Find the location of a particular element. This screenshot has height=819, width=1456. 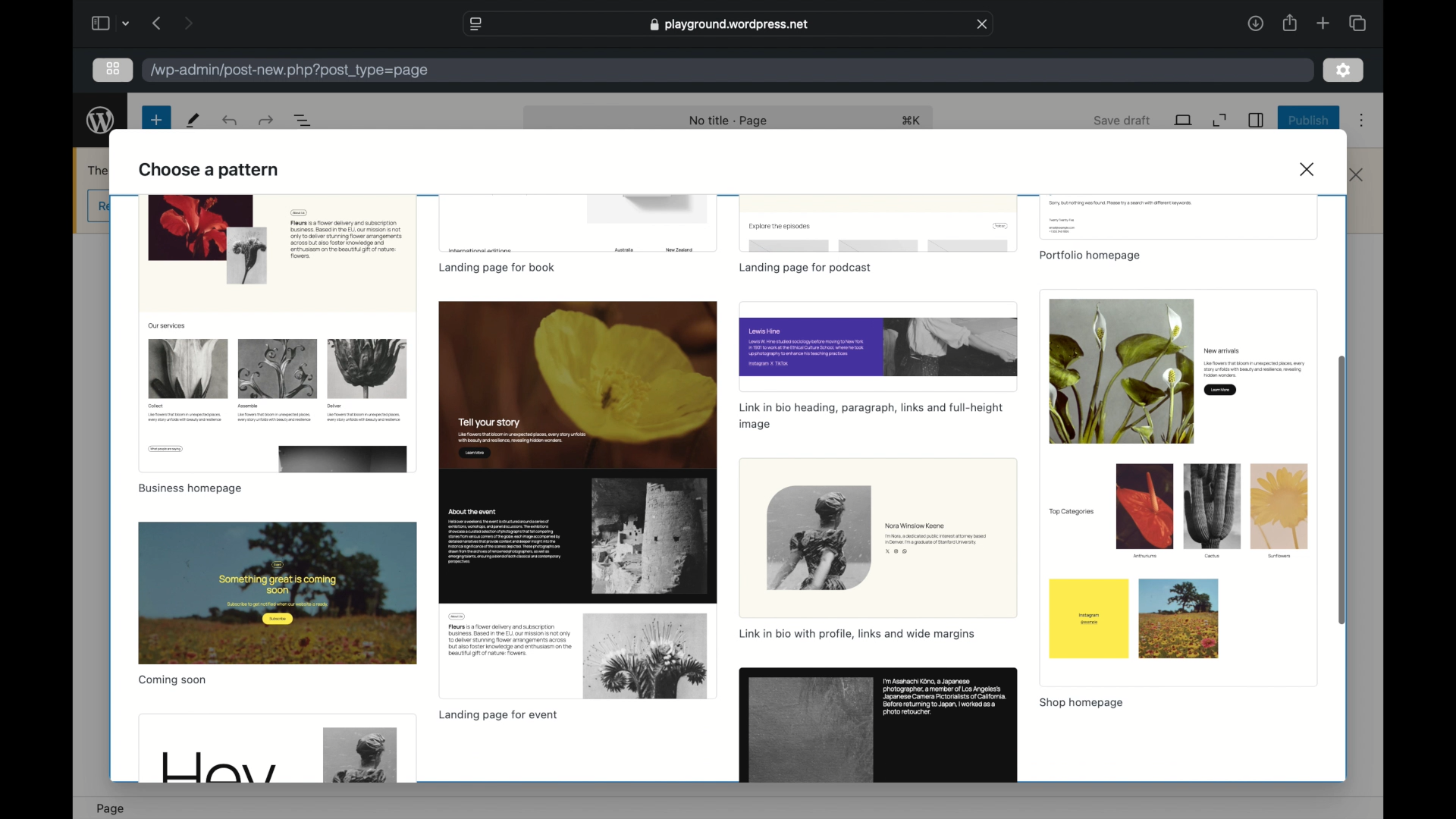

dropdown is located at coordinates (126, 23).